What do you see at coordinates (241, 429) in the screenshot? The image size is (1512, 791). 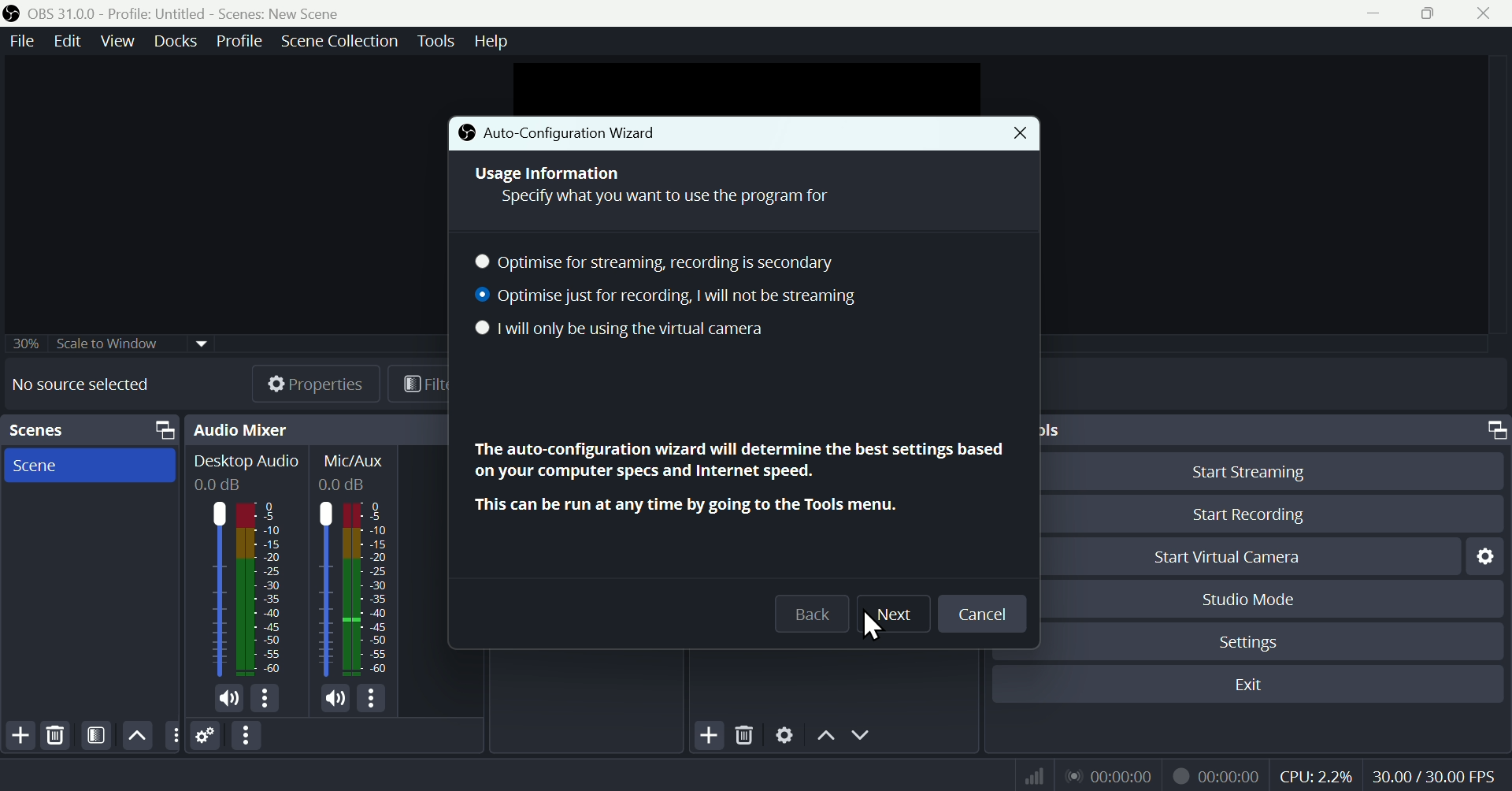 I see `Audio mixer` at bounding box center [241, 429].